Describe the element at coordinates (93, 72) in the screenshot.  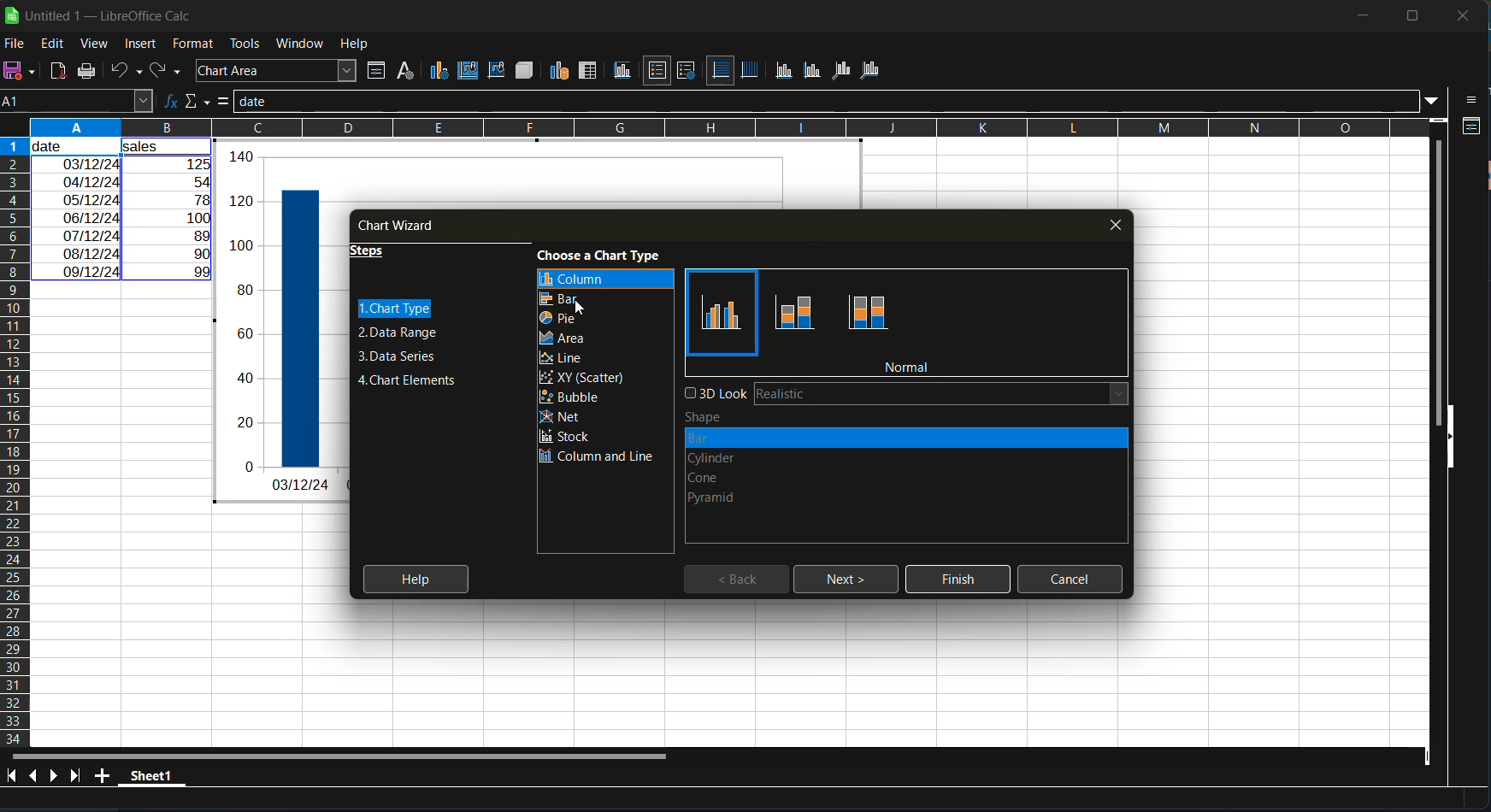
I see `print` at that location.